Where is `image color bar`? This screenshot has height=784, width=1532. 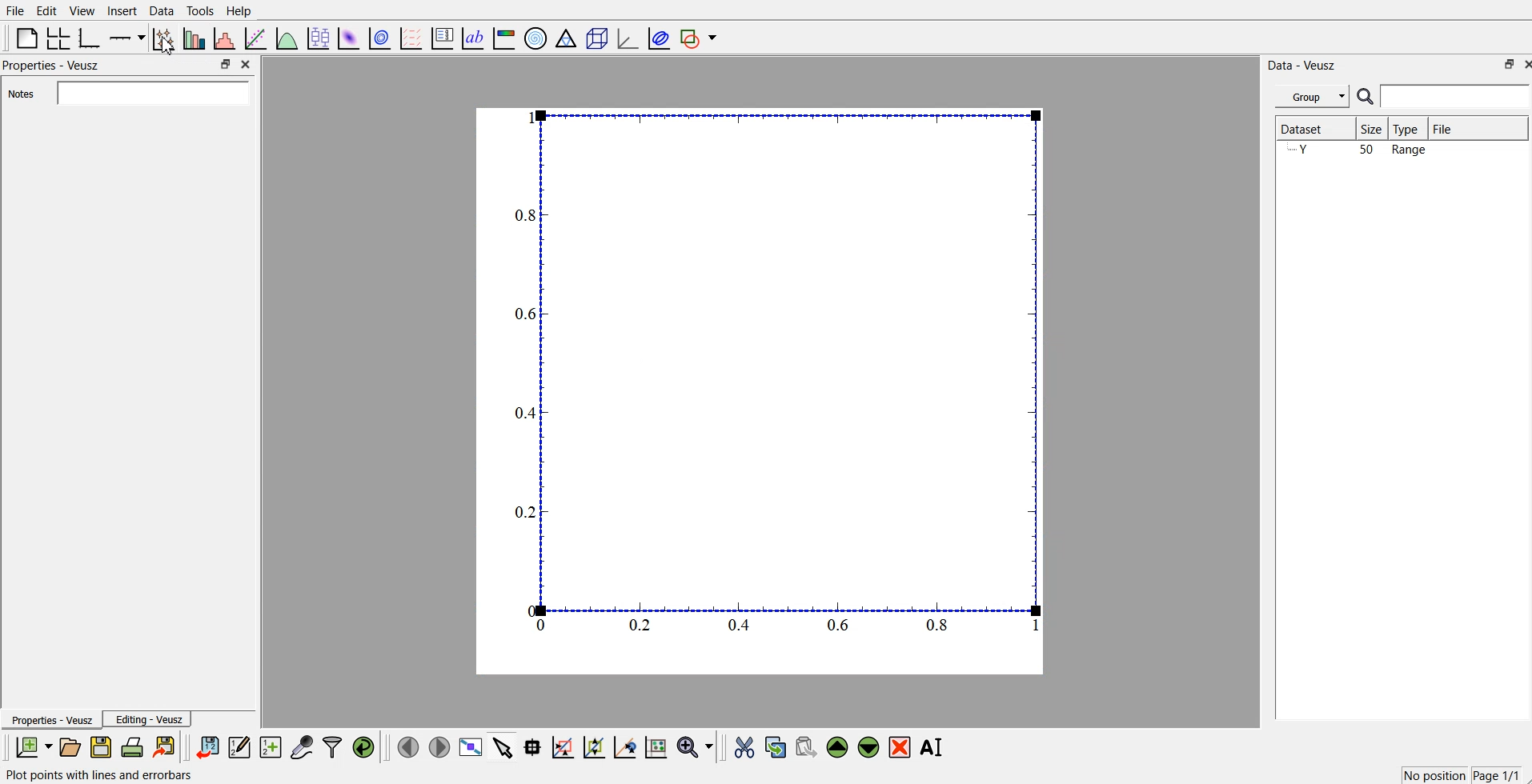
image color bar is located at coordinates (503, 37).